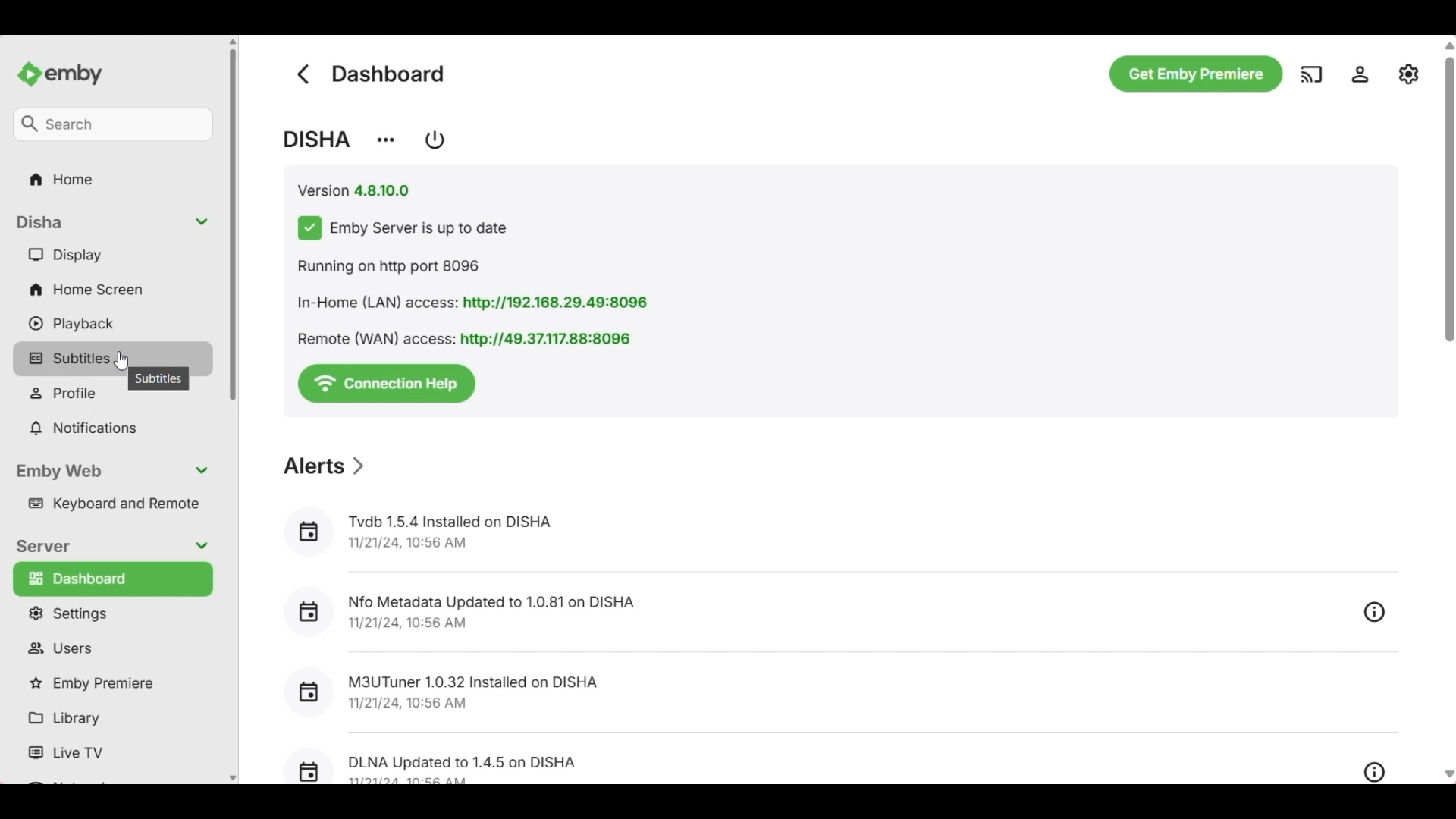 The height and width of the screenshot is (819, 1456). What do you see at coordinates (1310, 72) in the screenshot?
I see `` at bounding box center [1310, 72].